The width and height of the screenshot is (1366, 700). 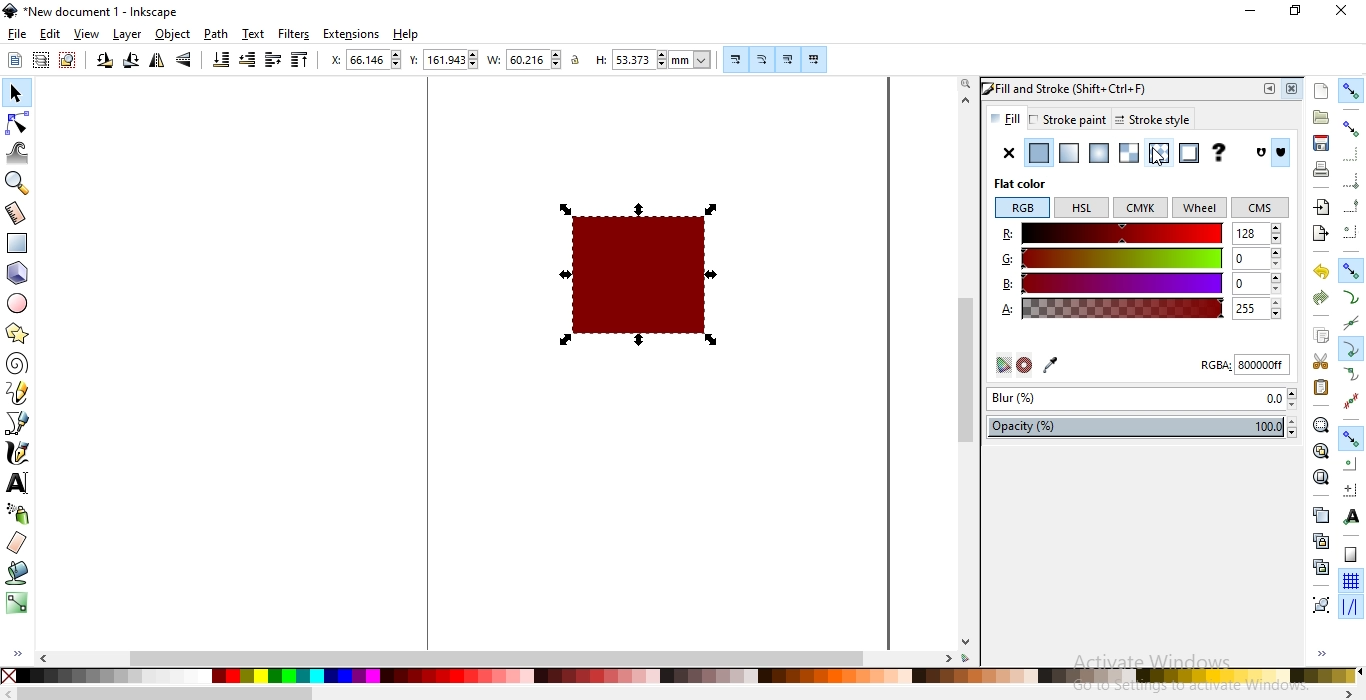 What do you see at coordinates (1319, 169) in the screenshot?
I see `print document` at bounding box center [1319, 169].